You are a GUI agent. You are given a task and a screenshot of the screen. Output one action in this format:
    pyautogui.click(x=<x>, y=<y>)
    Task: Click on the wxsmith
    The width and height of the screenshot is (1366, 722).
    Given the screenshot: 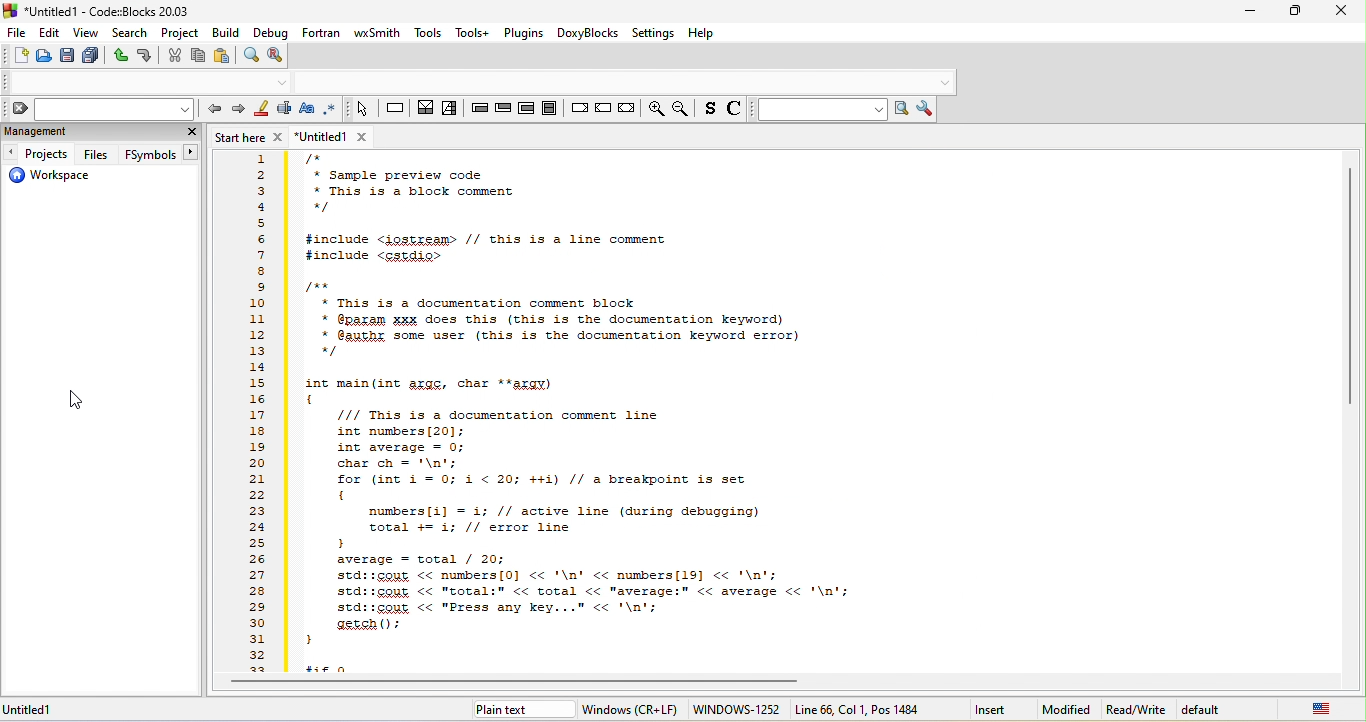 What is the action you would take?
    pyautogui.click(x=378, y=34)
    